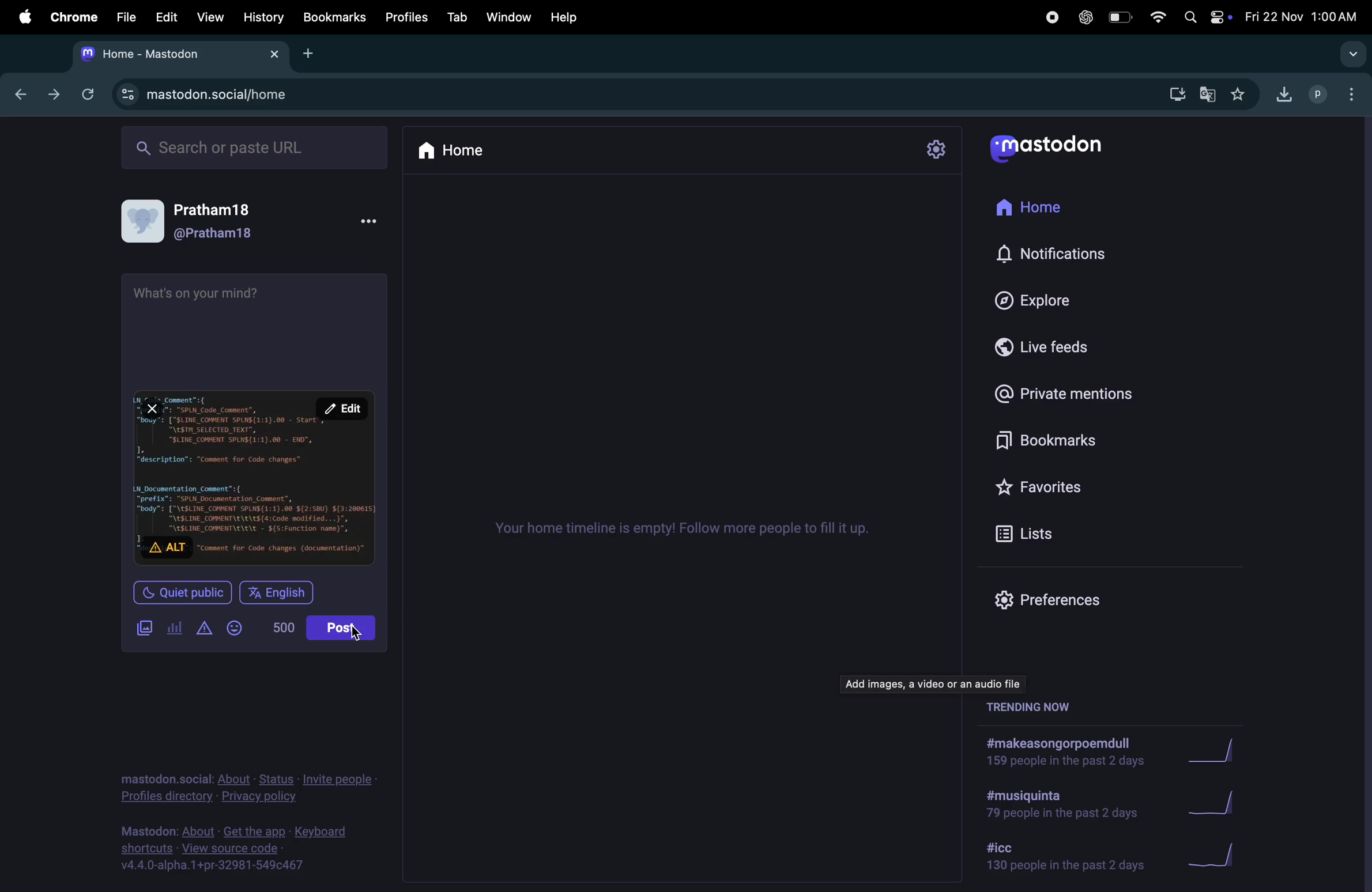 This screenshot has height=892, width=1372. I want to click on mastodon, so click(1061, 149).